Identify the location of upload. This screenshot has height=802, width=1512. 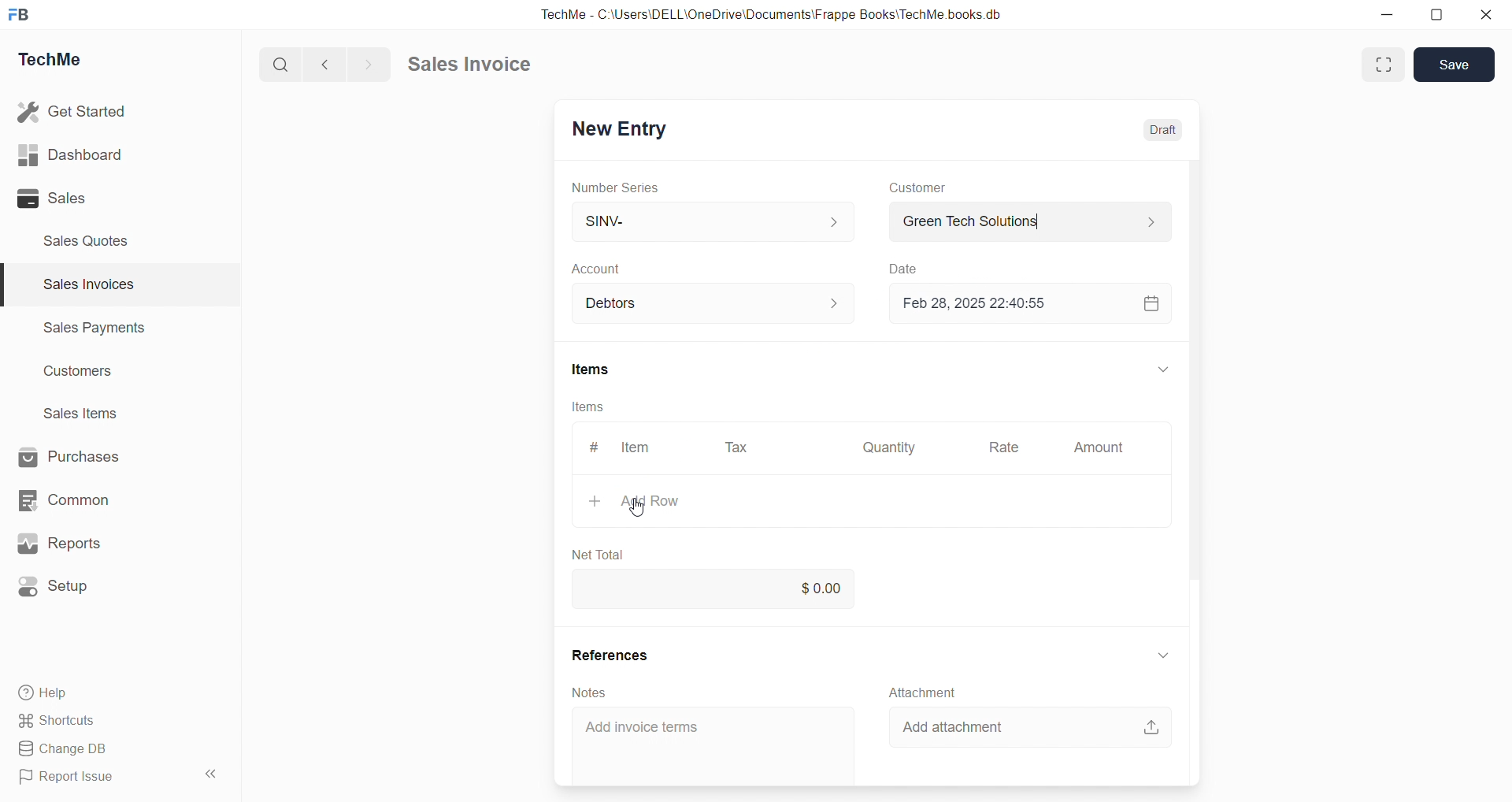
(1152, 727).